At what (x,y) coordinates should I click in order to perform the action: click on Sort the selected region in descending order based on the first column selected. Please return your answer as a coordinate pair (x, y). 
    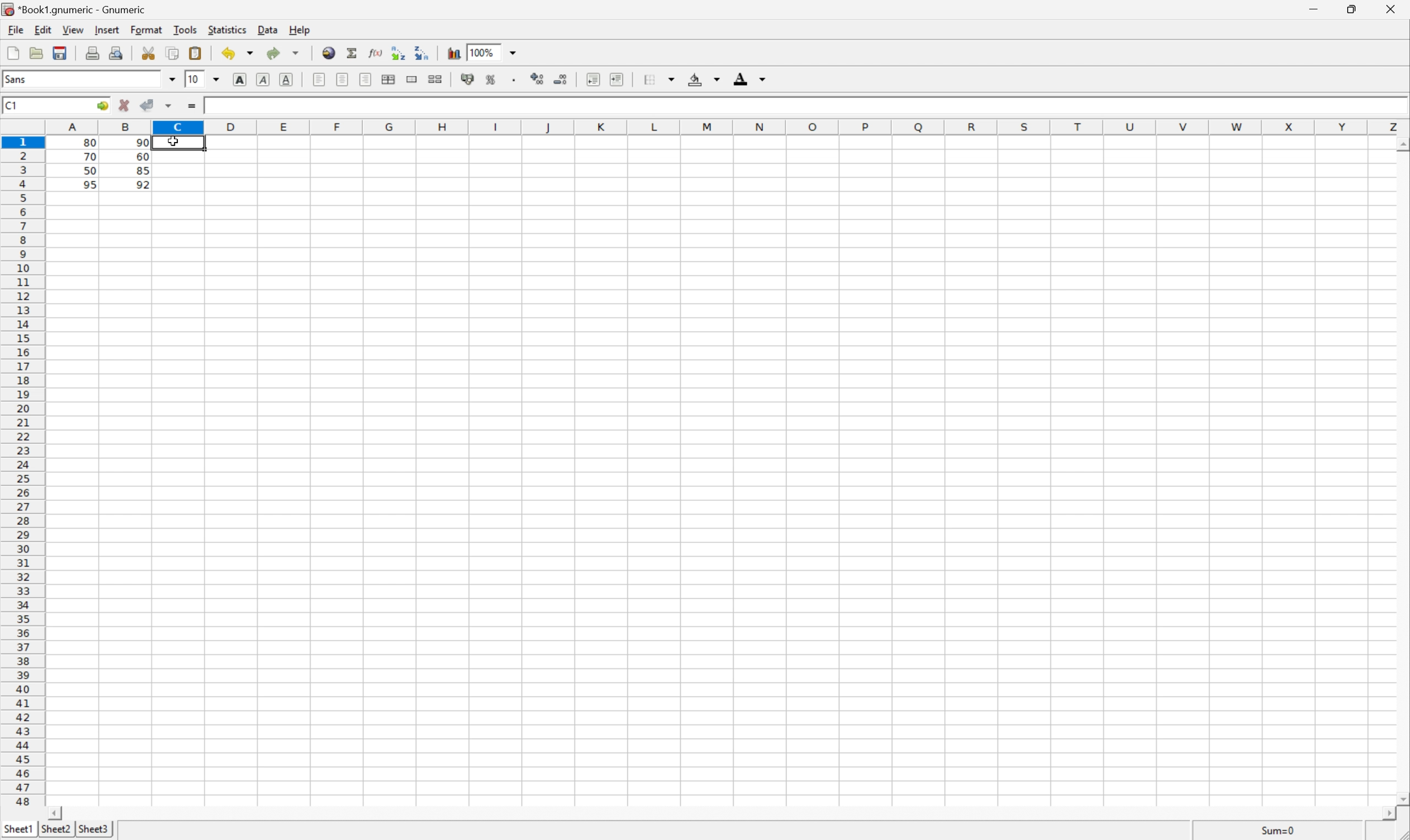
    Looking at the image, I should click on (424, 54).